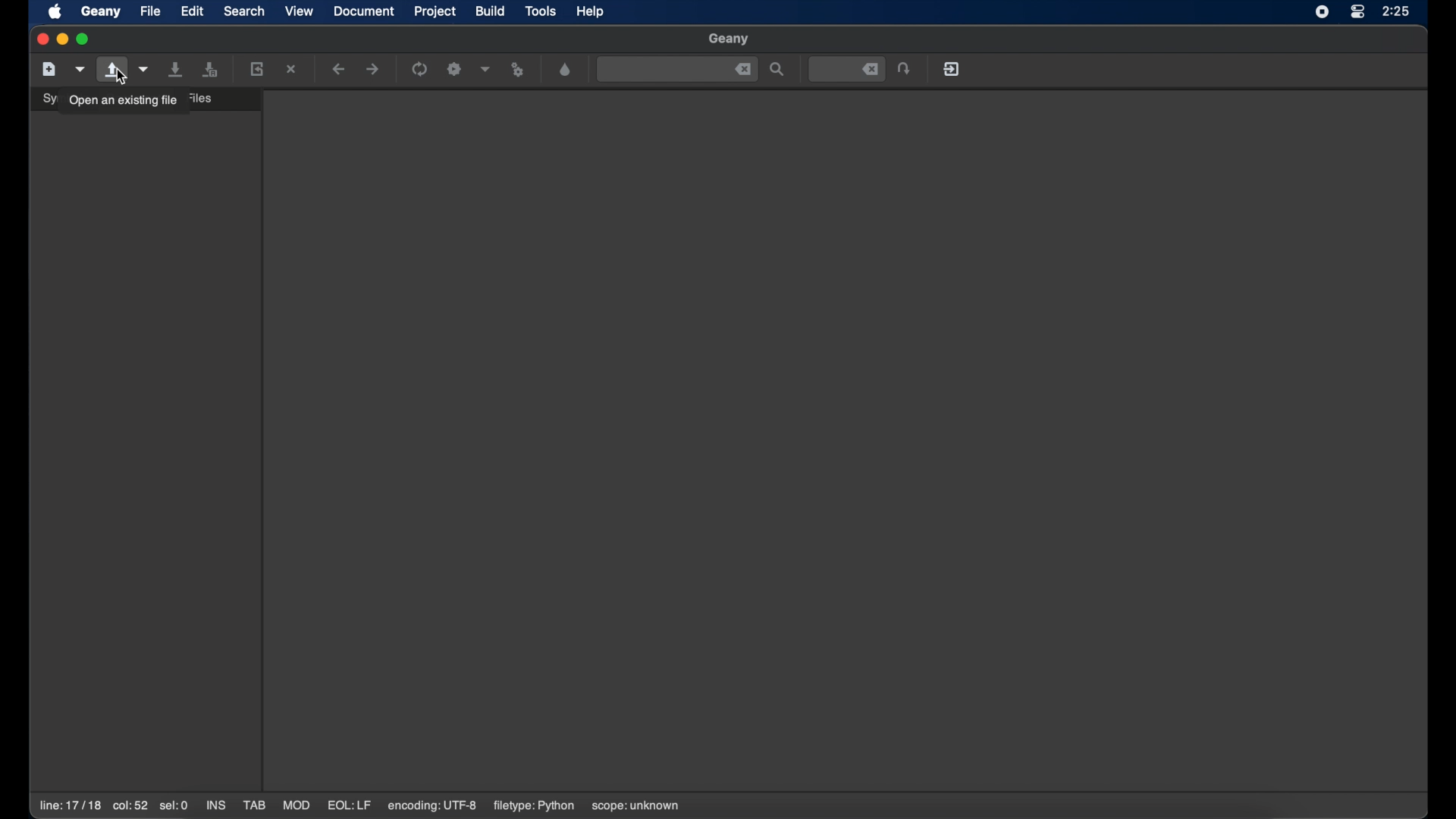 The width and height of the screenshot is (1456, 819). What do you see at coordinates (300, 11) in the screenshot?
I see `view` at bounding box center [300, 11].